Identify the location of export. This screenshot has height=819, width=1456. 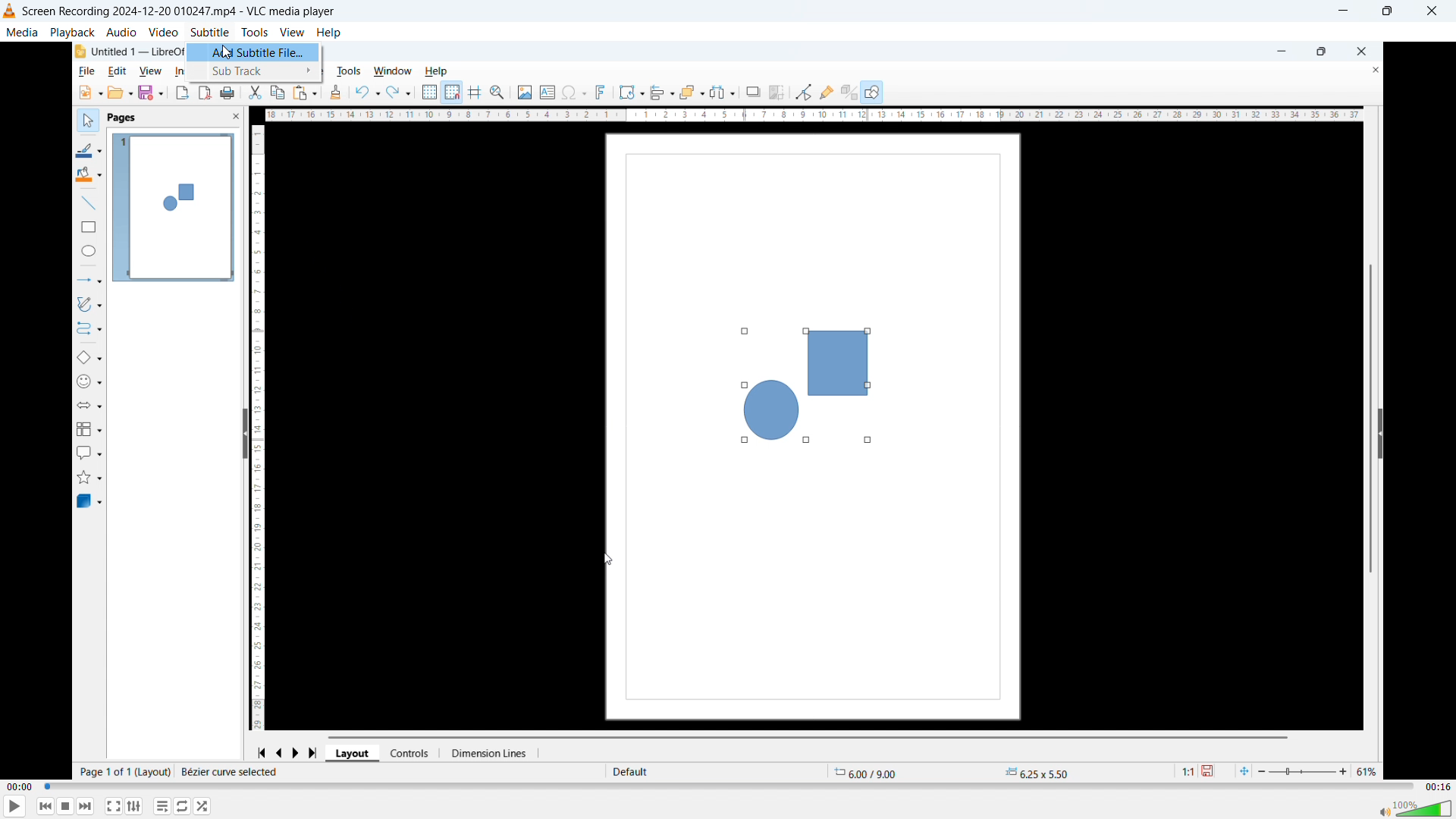
(181, 93).